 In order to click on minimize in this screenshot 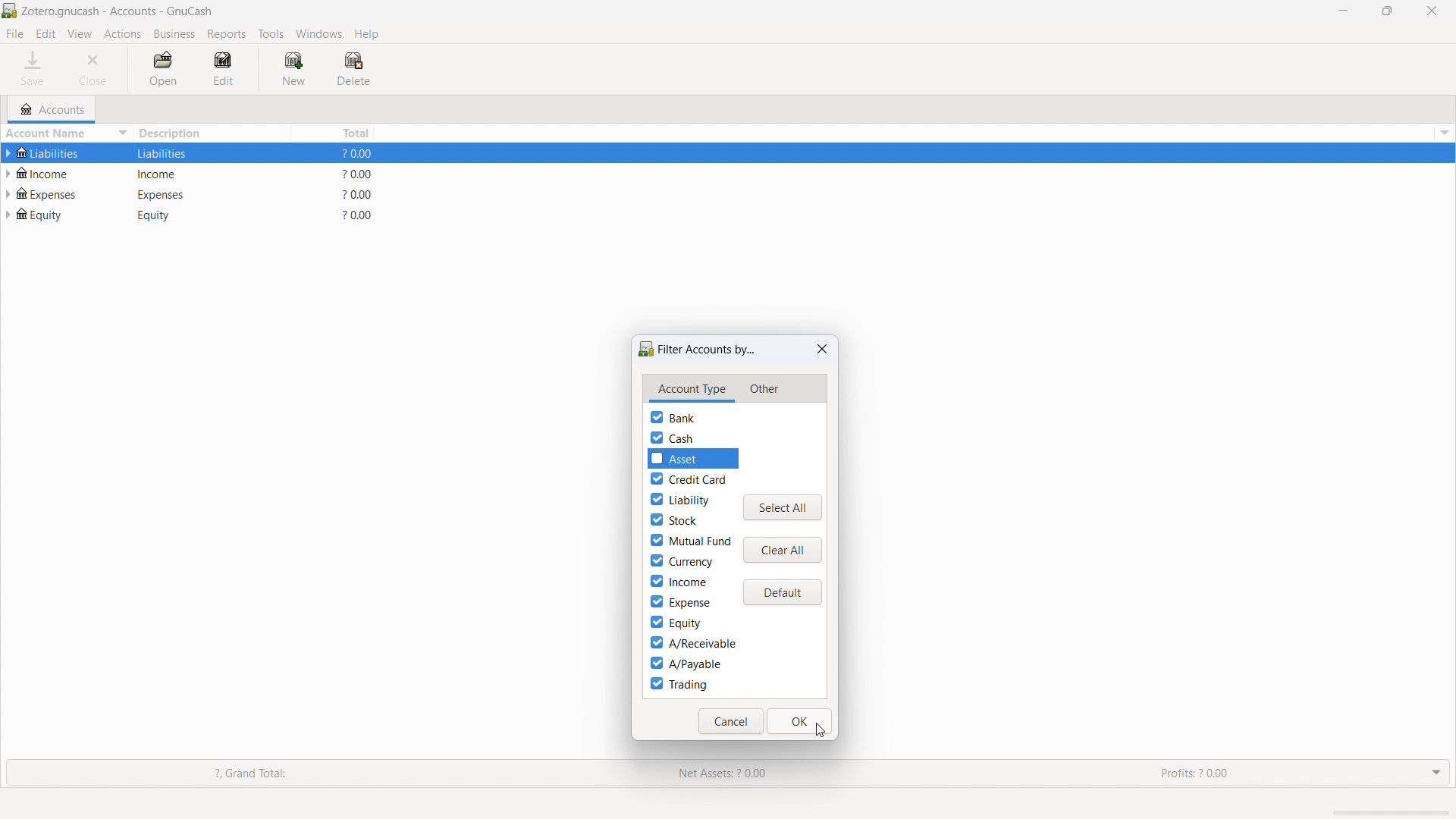, I will do `click(1341, 10)`.